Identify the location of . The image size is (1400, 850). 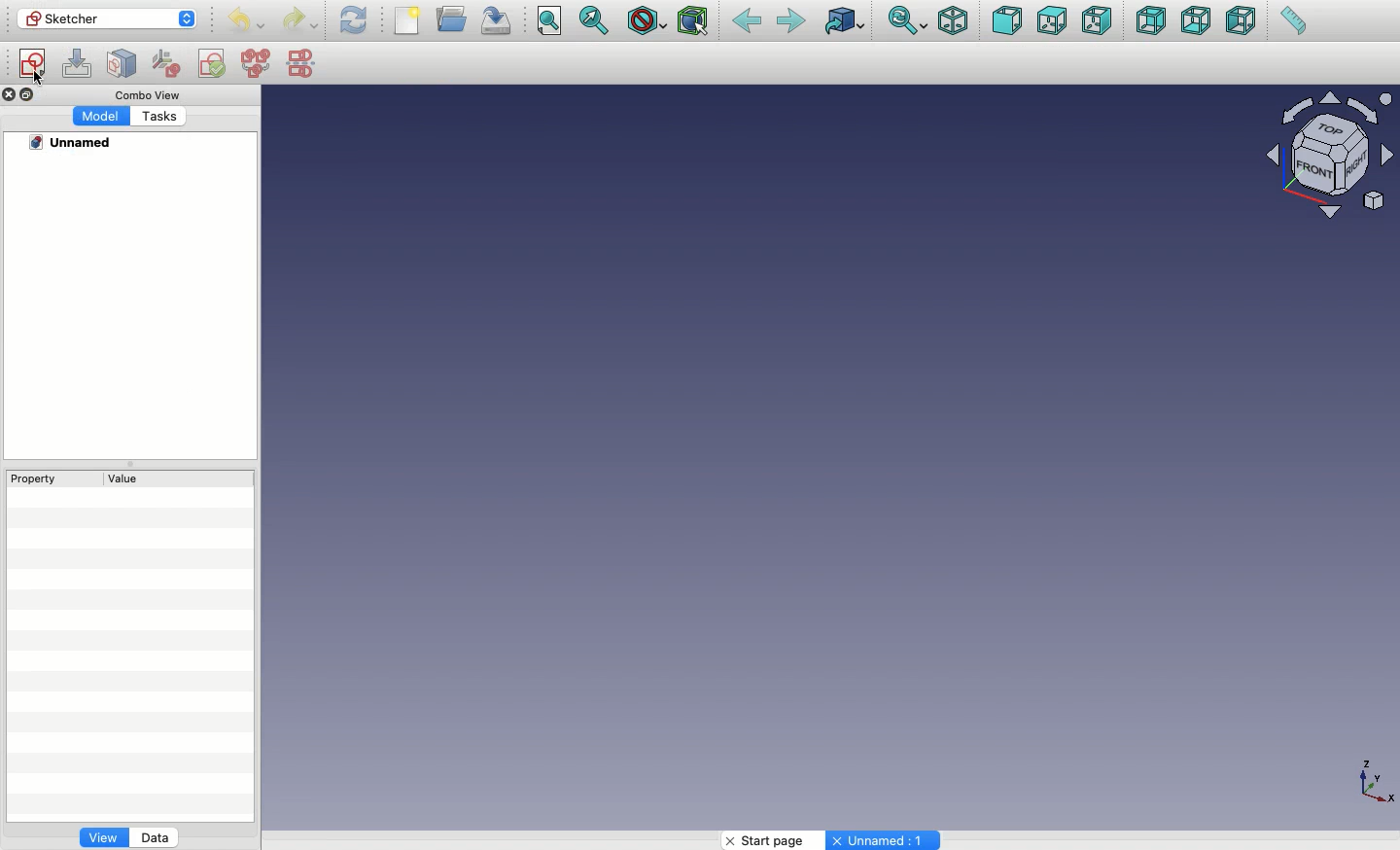
(10, 95).